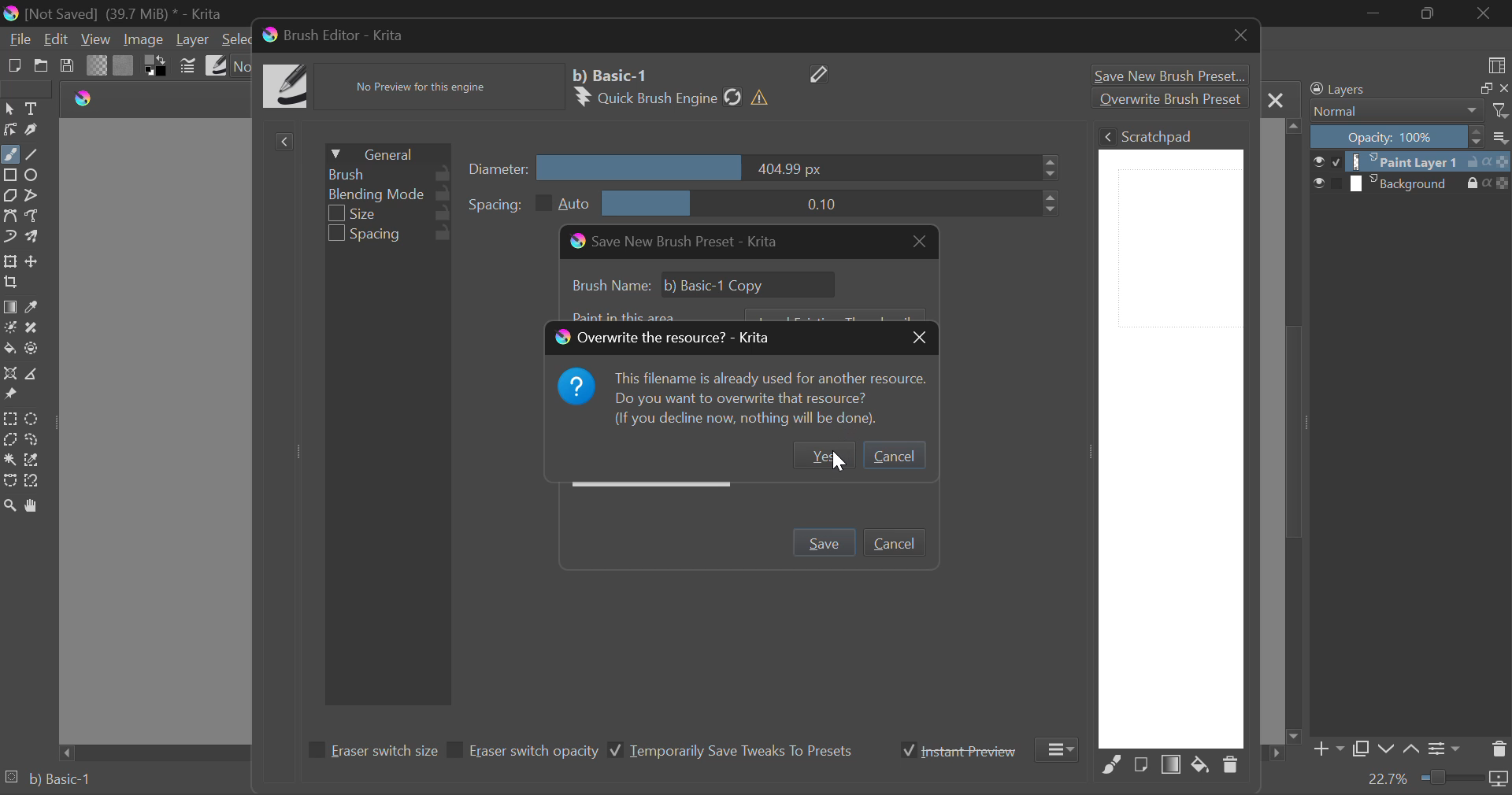 This screenshot has height=795, width=1512. I want to click on Blending Mode, so click(388, 194).